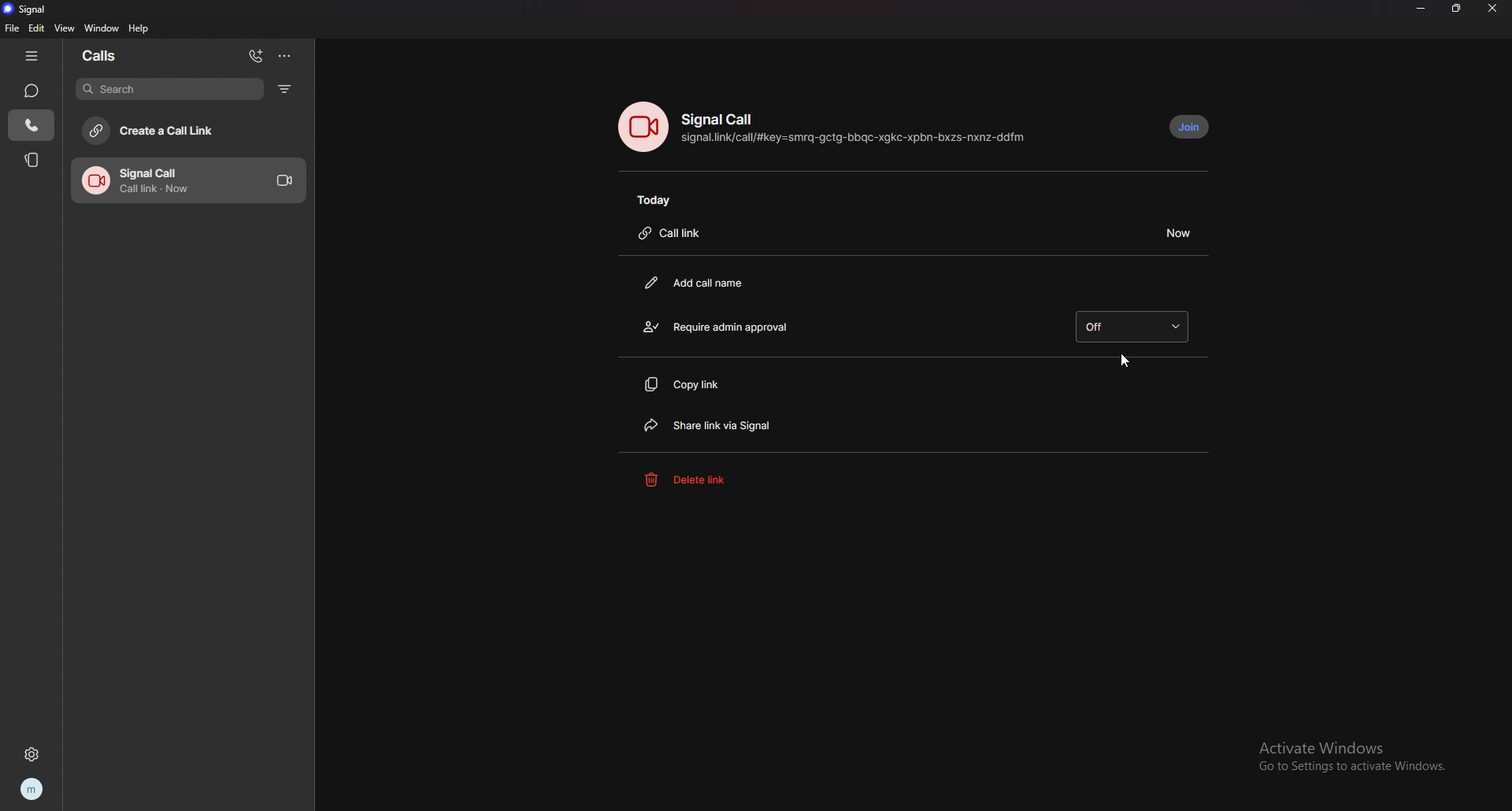  I want to click on signal, so click(31, 9).